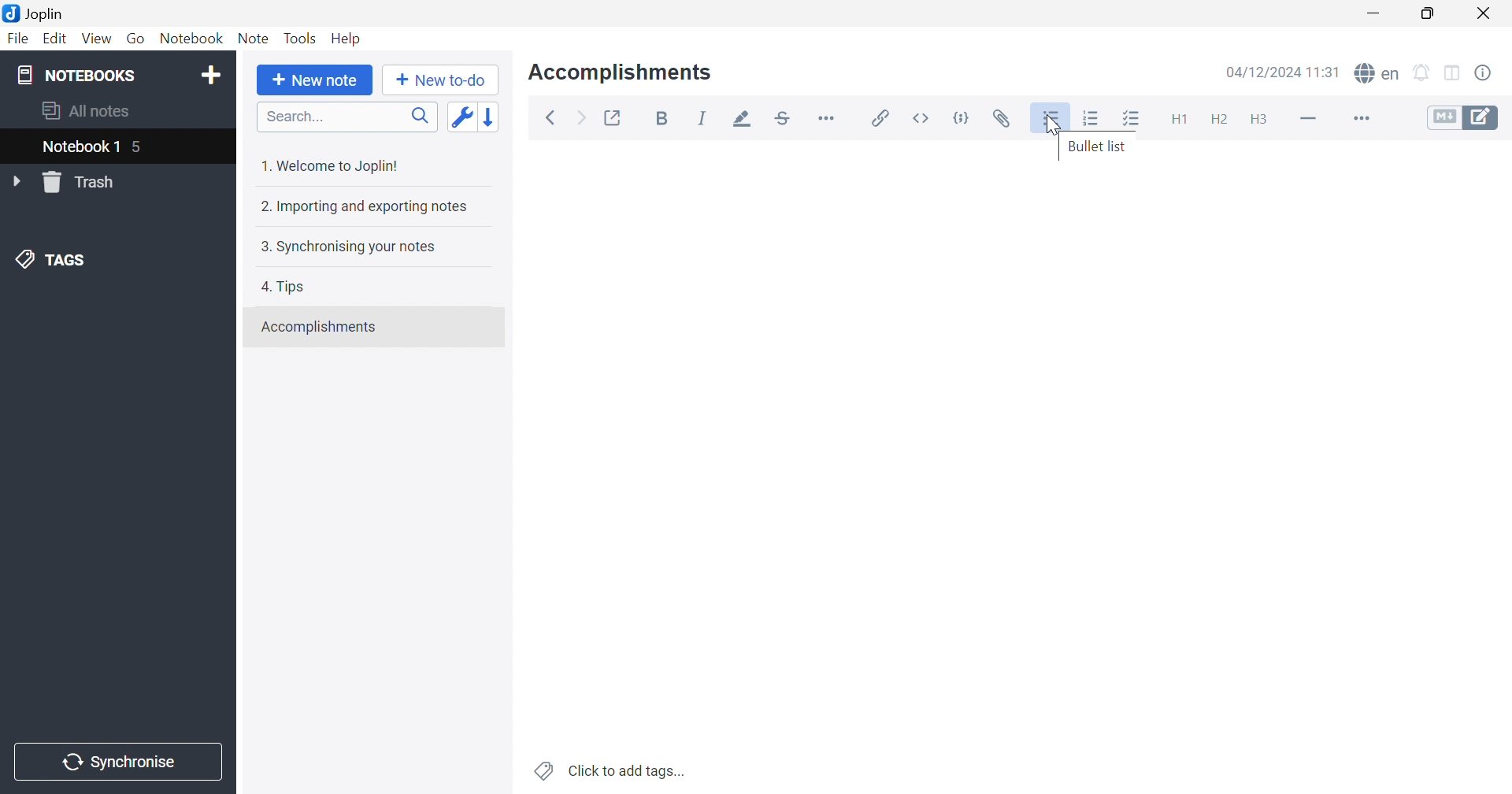  I want to click on Notebook, so click(191, 38).